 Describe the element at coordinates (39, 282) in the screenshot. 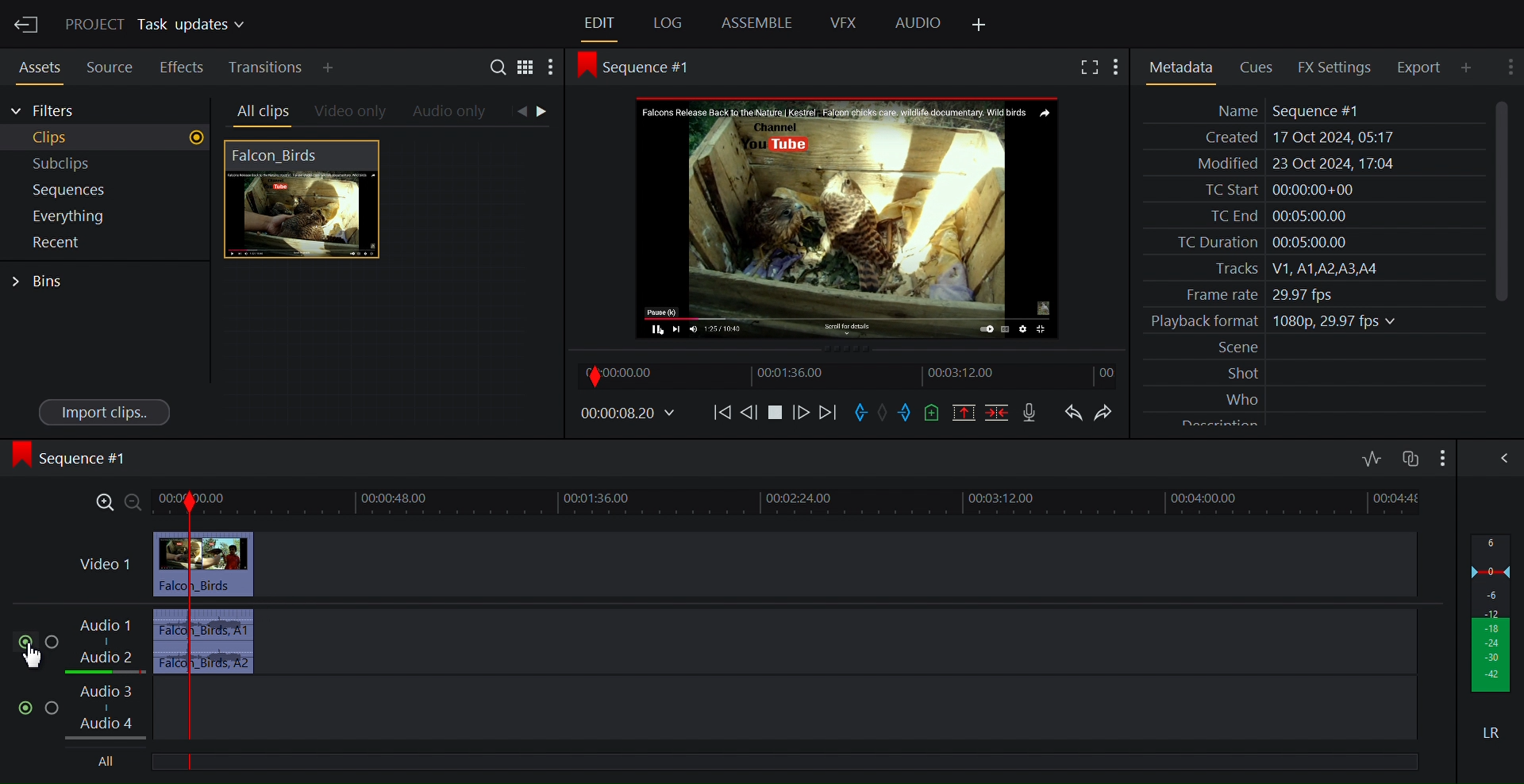

I see `Bins` at that location.